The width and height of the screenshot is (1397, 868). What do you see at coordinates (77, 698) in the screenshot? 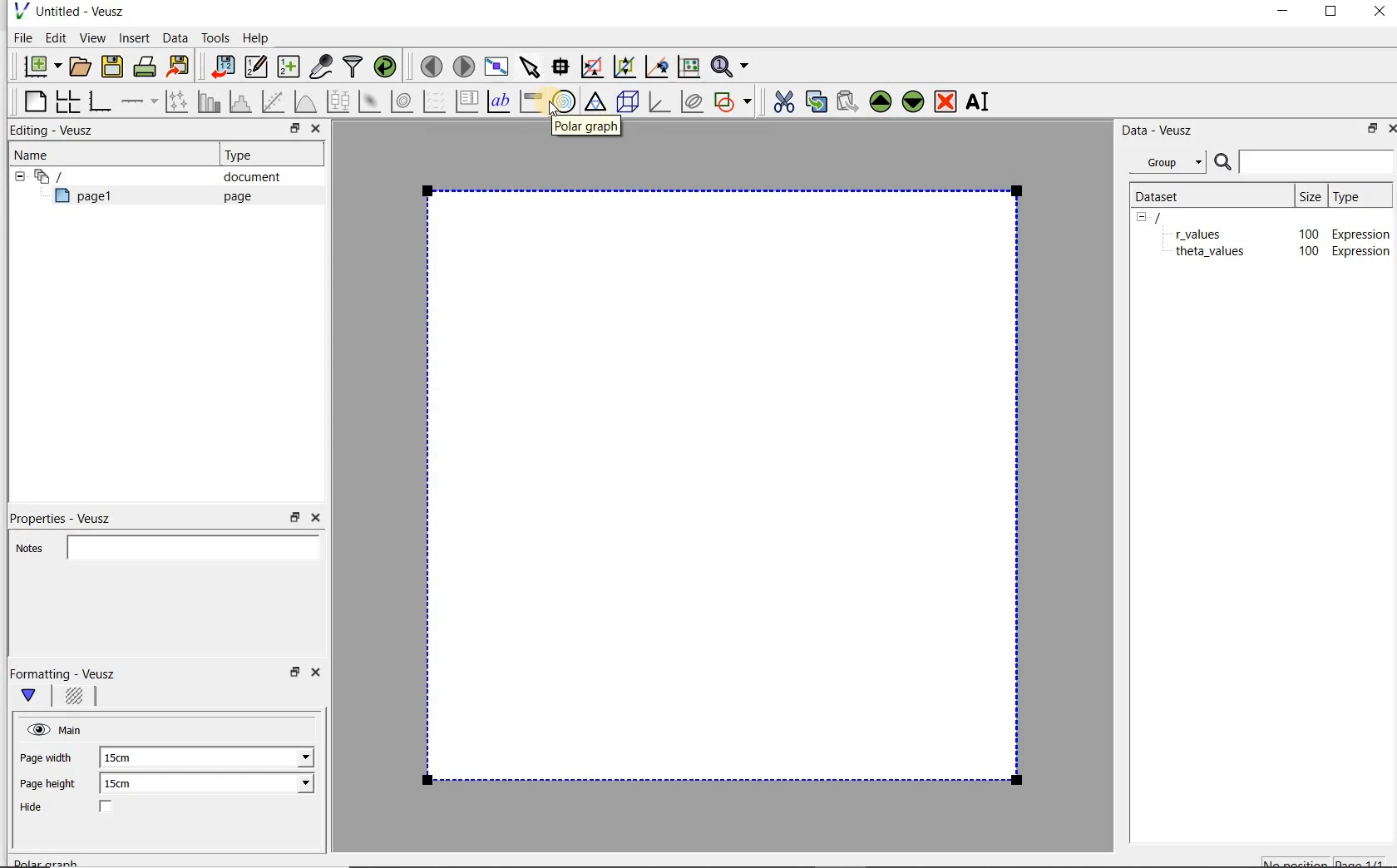
I see `Background` at bounding box center [77, 698].